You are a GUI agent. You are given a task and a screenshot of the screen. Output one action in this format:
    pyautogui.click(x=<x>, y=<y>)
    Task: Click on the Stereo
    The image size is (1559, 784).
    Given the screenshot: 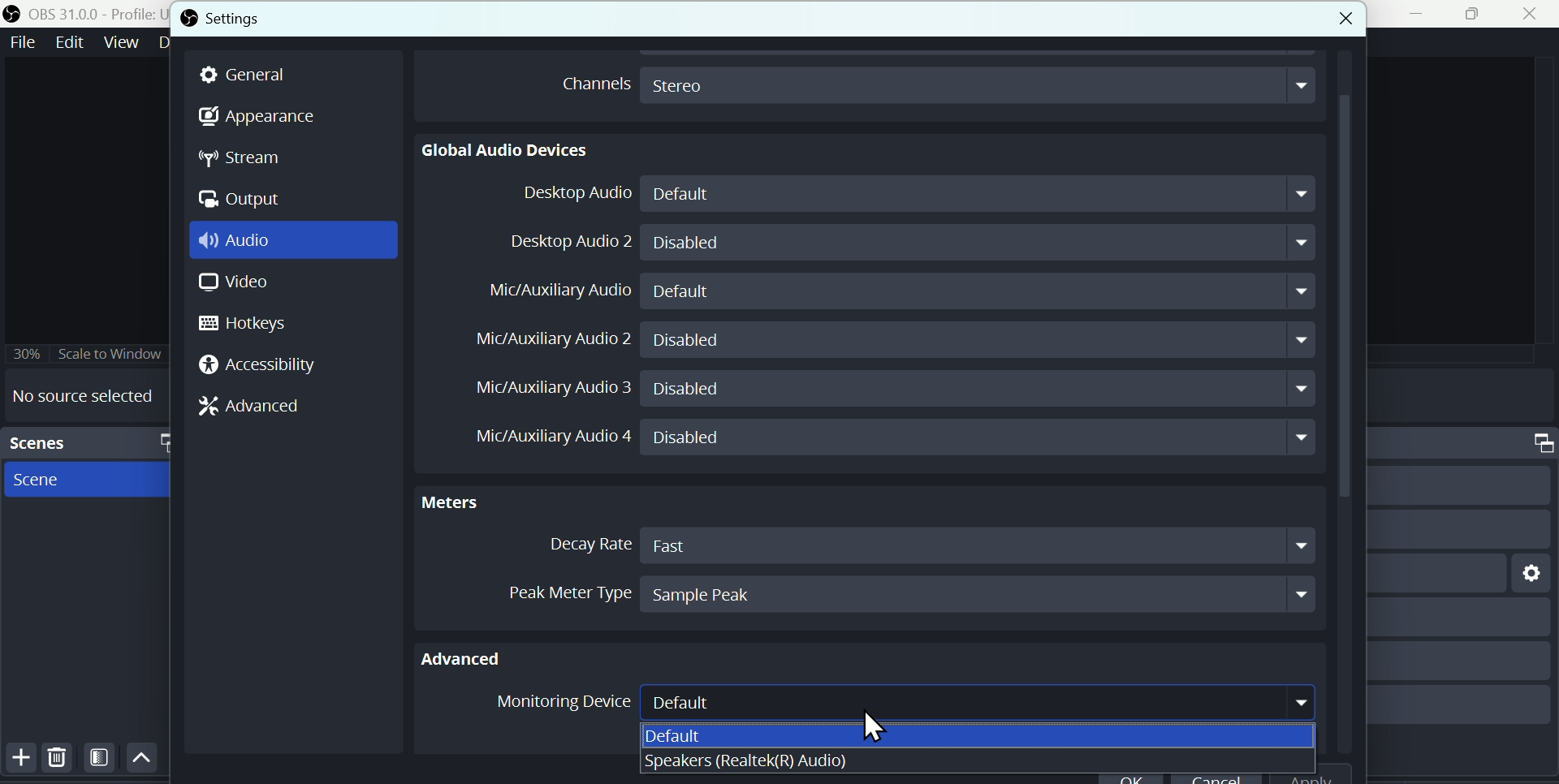 What is the action you would take?
    pyautogui.click(x=980, y=86)
    